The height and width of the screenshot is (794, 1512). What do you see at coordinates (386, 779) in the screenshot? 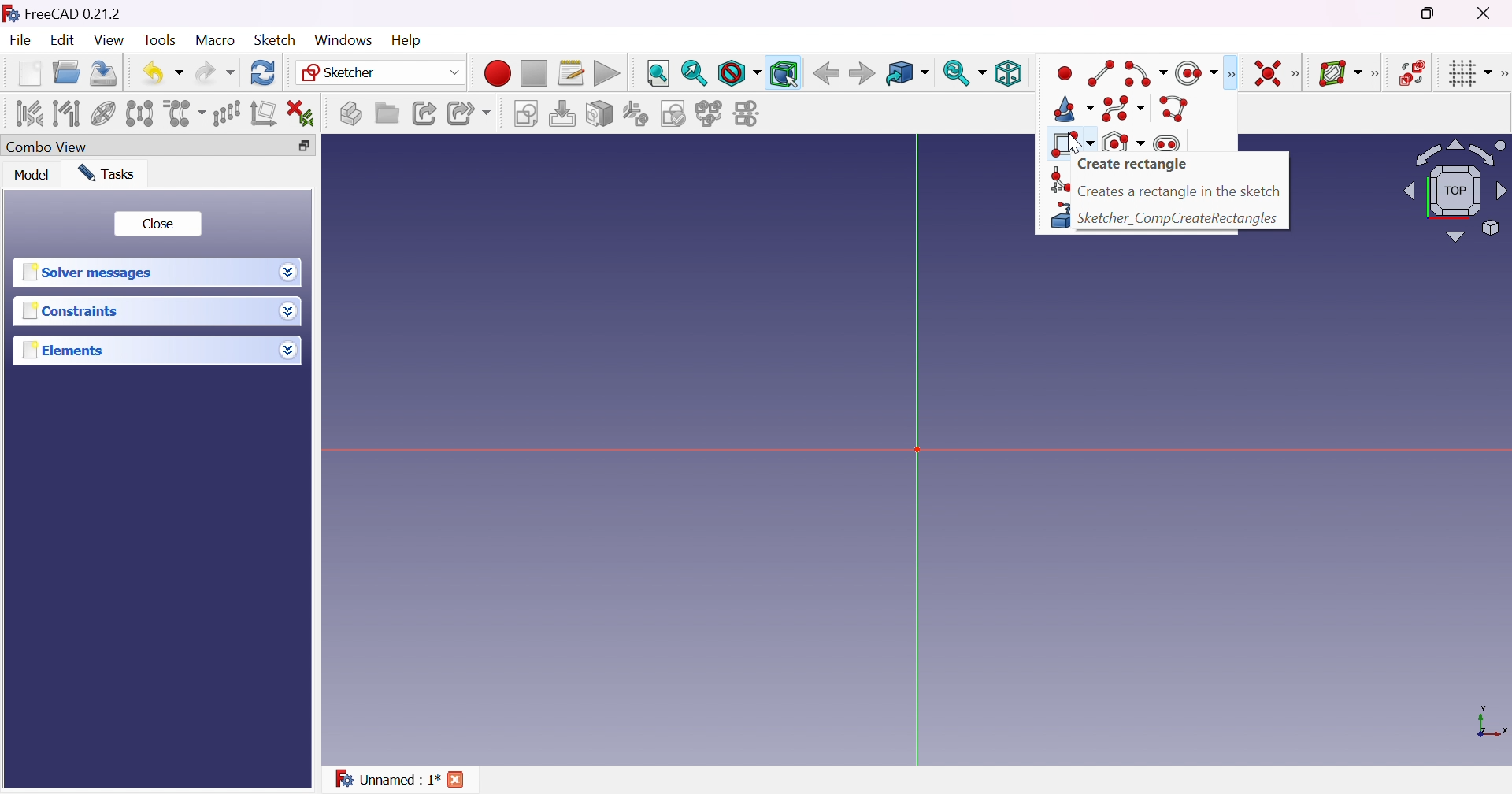
I see `Unnamed : 1*` at bounding box center [386, 779].